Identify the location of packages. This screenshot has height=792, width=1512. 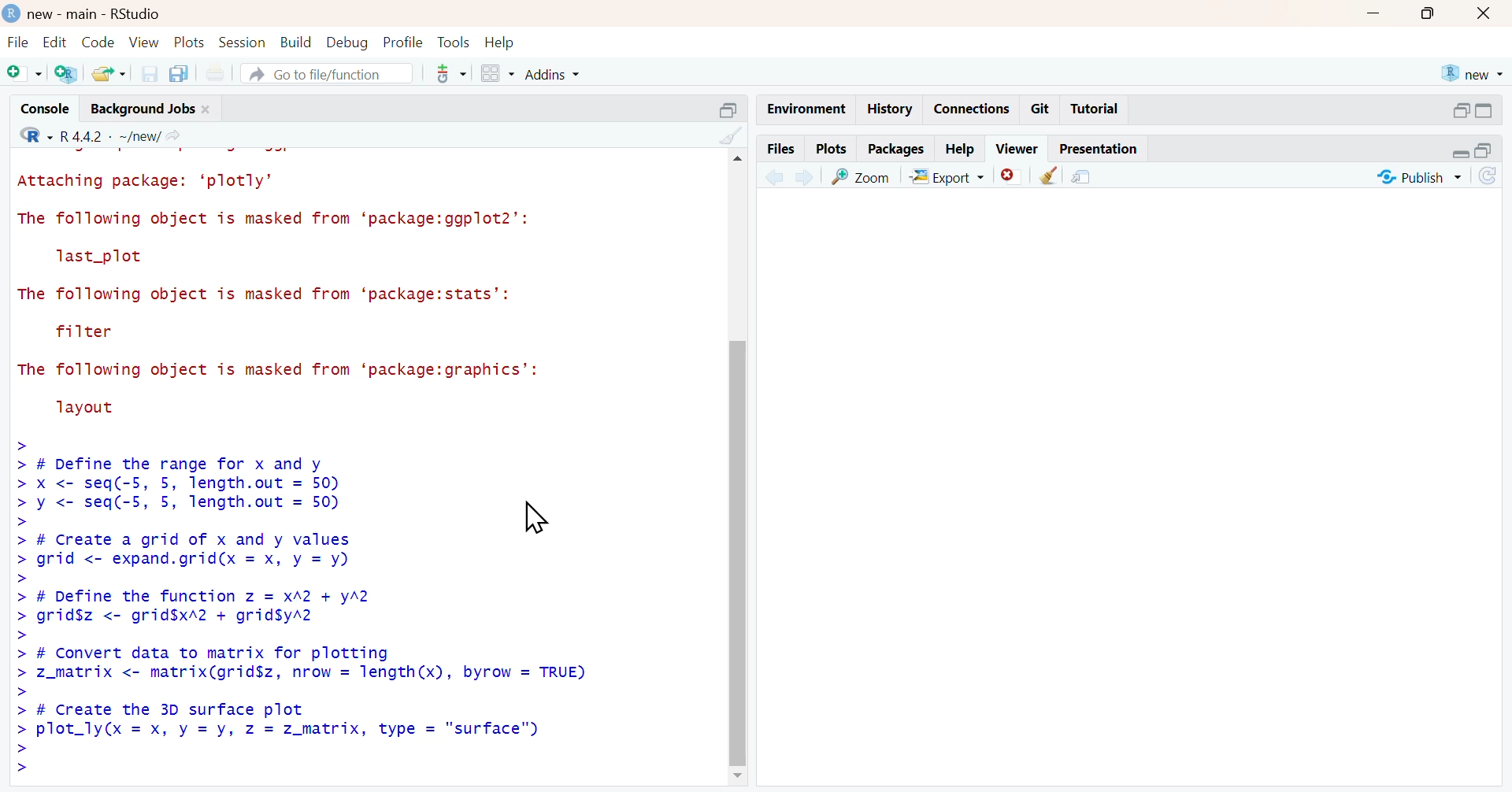
(895, 150).